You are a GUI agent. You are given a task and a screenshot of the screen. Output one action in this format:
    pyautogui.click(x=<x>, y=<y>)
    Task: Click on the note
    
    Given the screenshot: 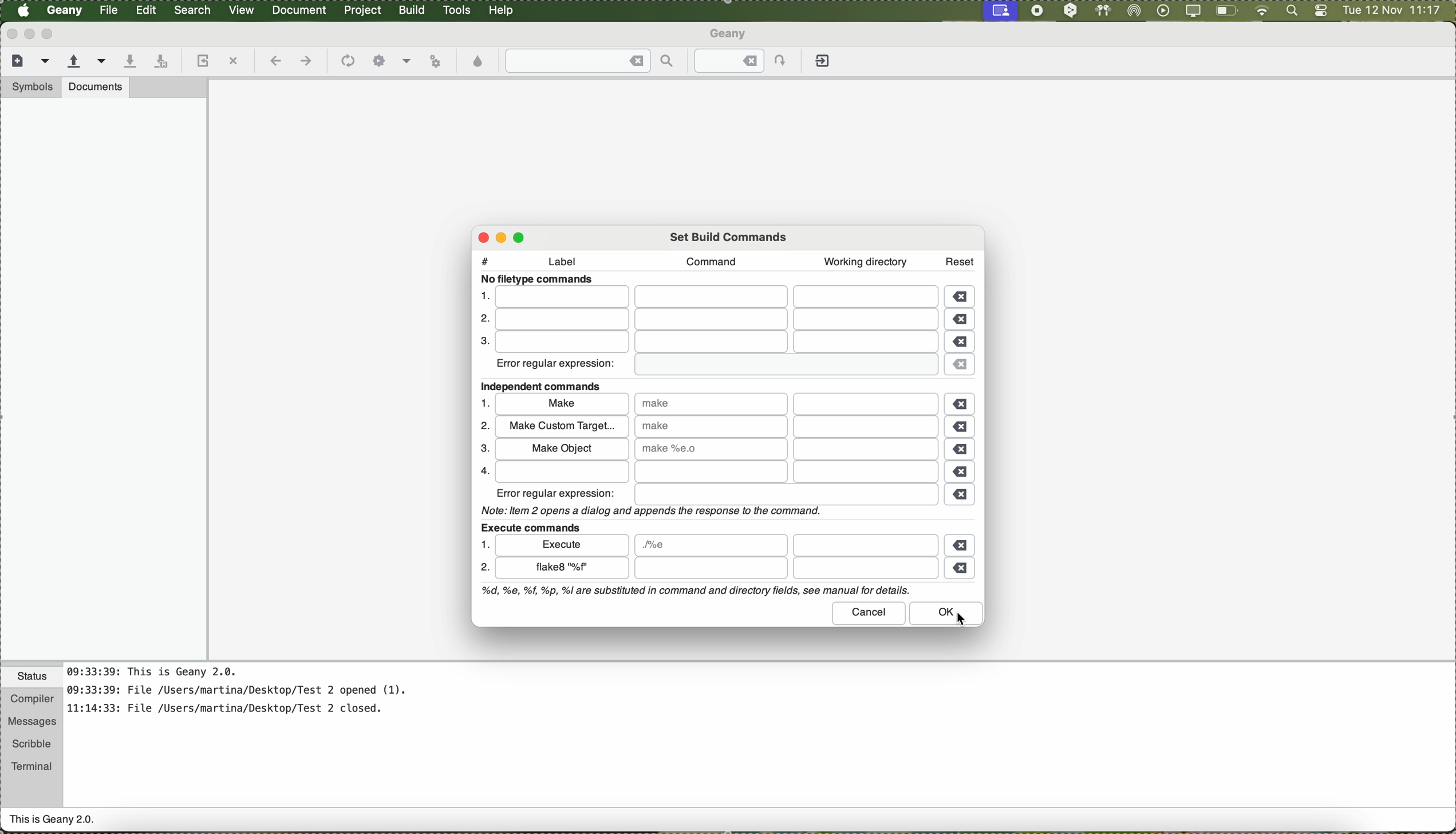 What is the action you would take?
    pyautogui.click(x=694, y=591)
    